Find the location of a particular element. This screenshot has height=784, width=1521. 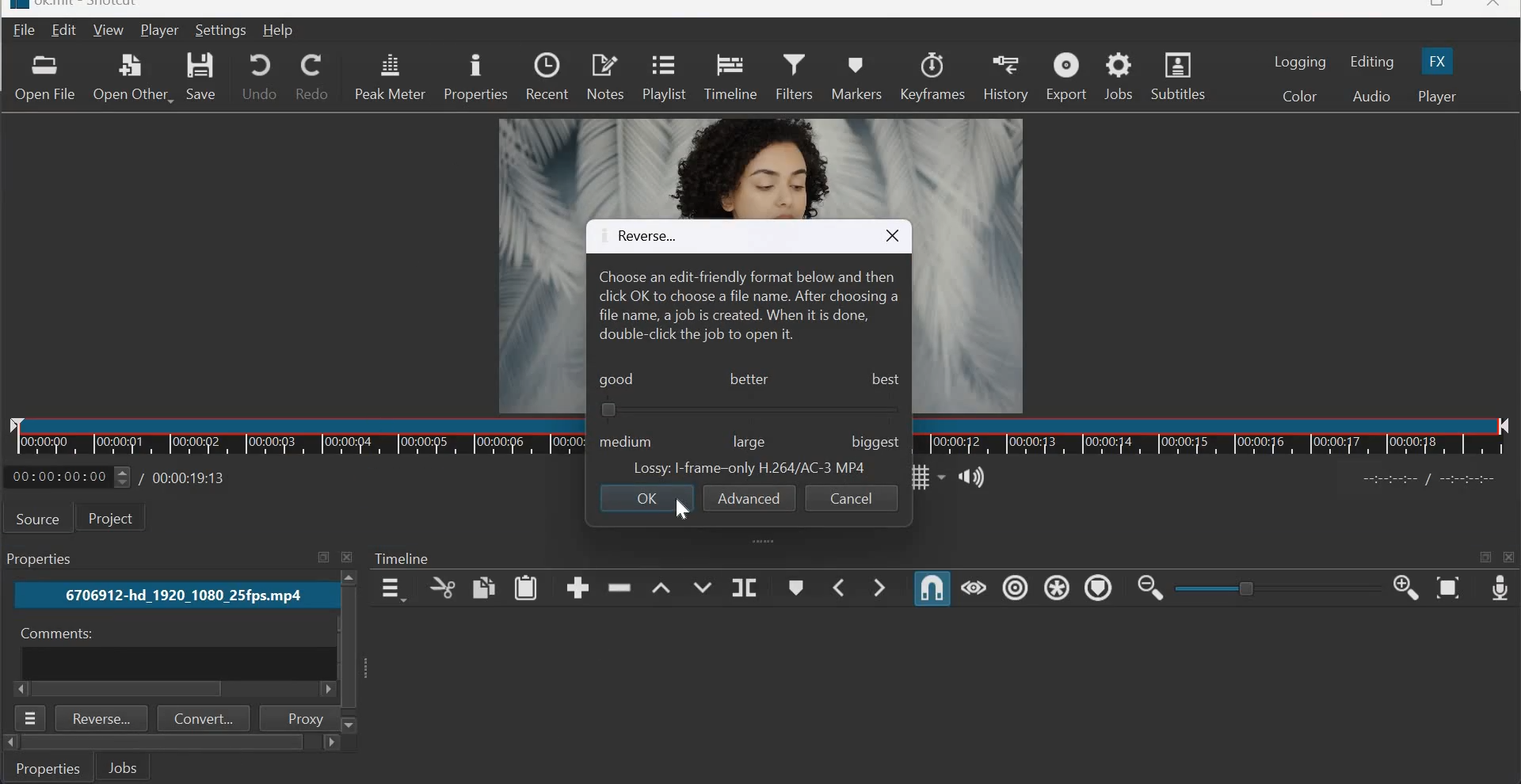

Jobs is located at coordinates (1119, 77).